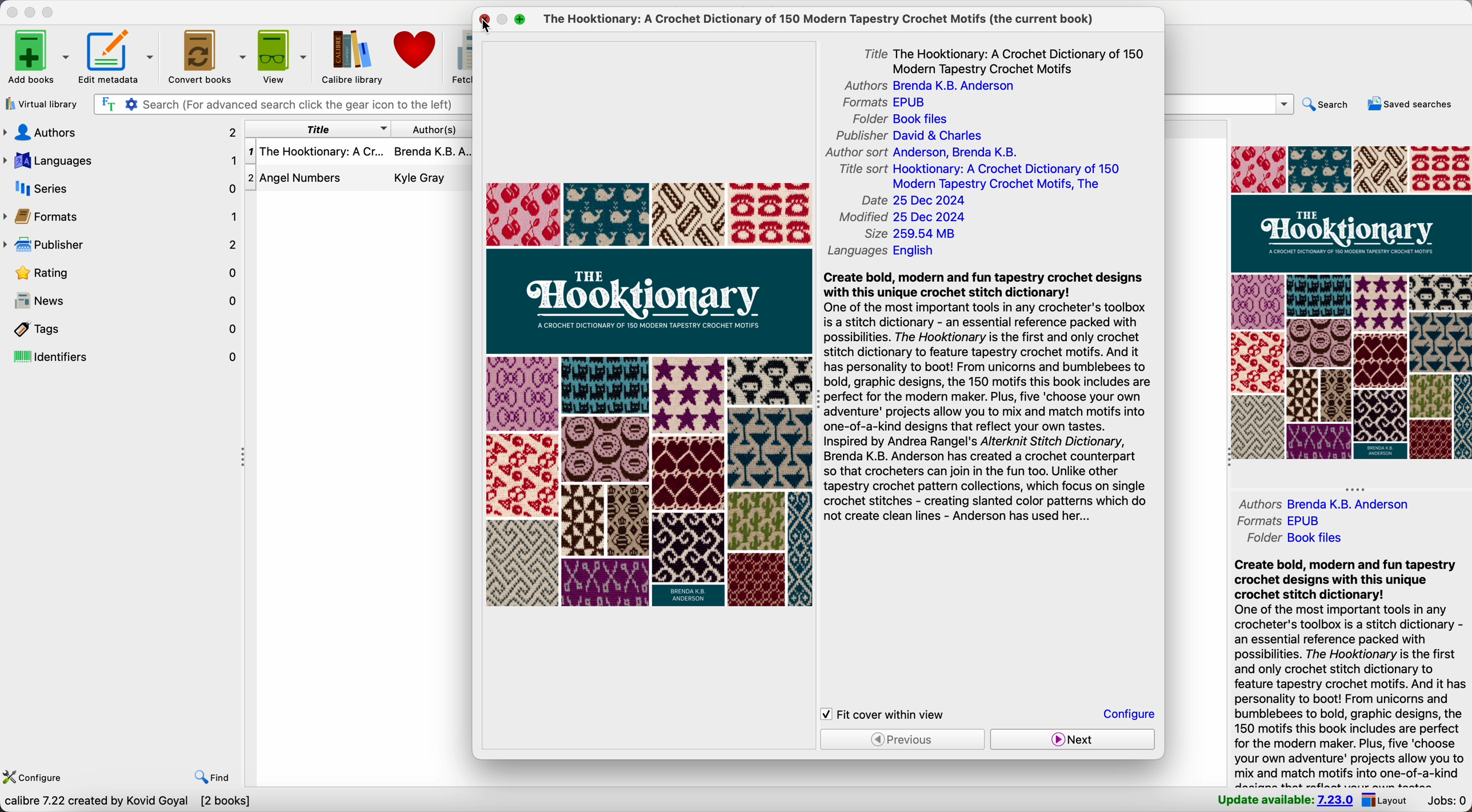 This screenshot has width=1472, height=812. What do you see at coordinates (1299, 538) in the screenshot?
I see `folder` at bounding box center [1299, 538].